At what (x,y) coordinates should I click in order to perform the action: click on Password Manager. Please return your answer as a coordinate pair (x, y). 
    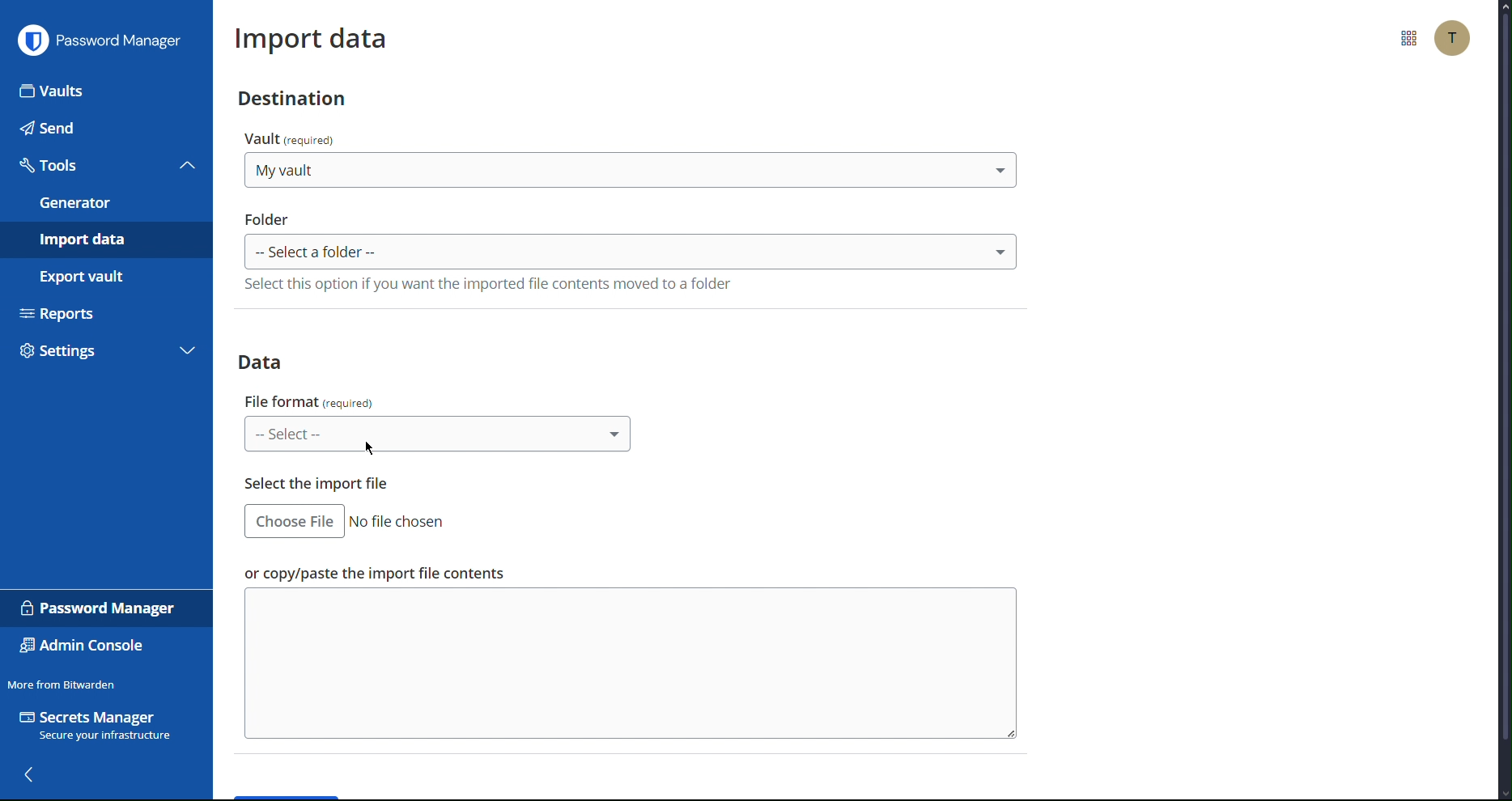
    Looking at the image, I should click on (100, 608).